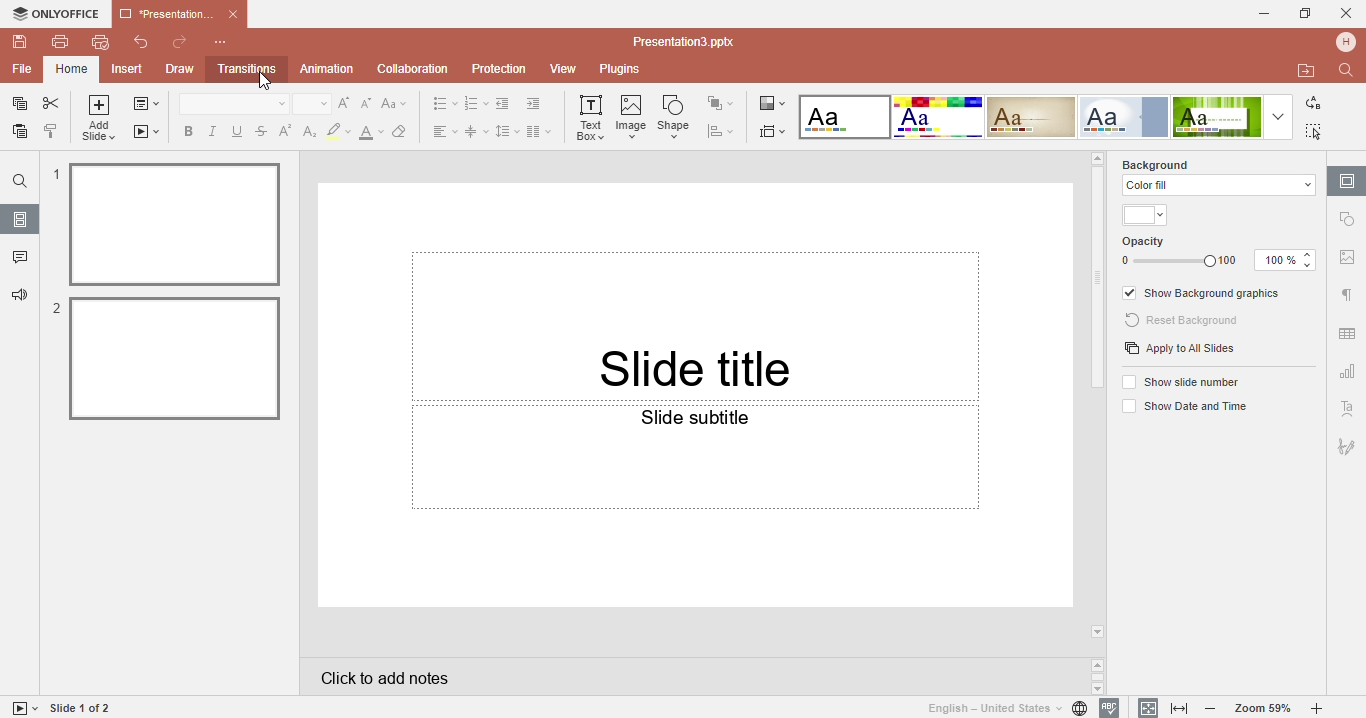 The image size is (1366, 718). I want to click on Minimise, so click(1258, 13).